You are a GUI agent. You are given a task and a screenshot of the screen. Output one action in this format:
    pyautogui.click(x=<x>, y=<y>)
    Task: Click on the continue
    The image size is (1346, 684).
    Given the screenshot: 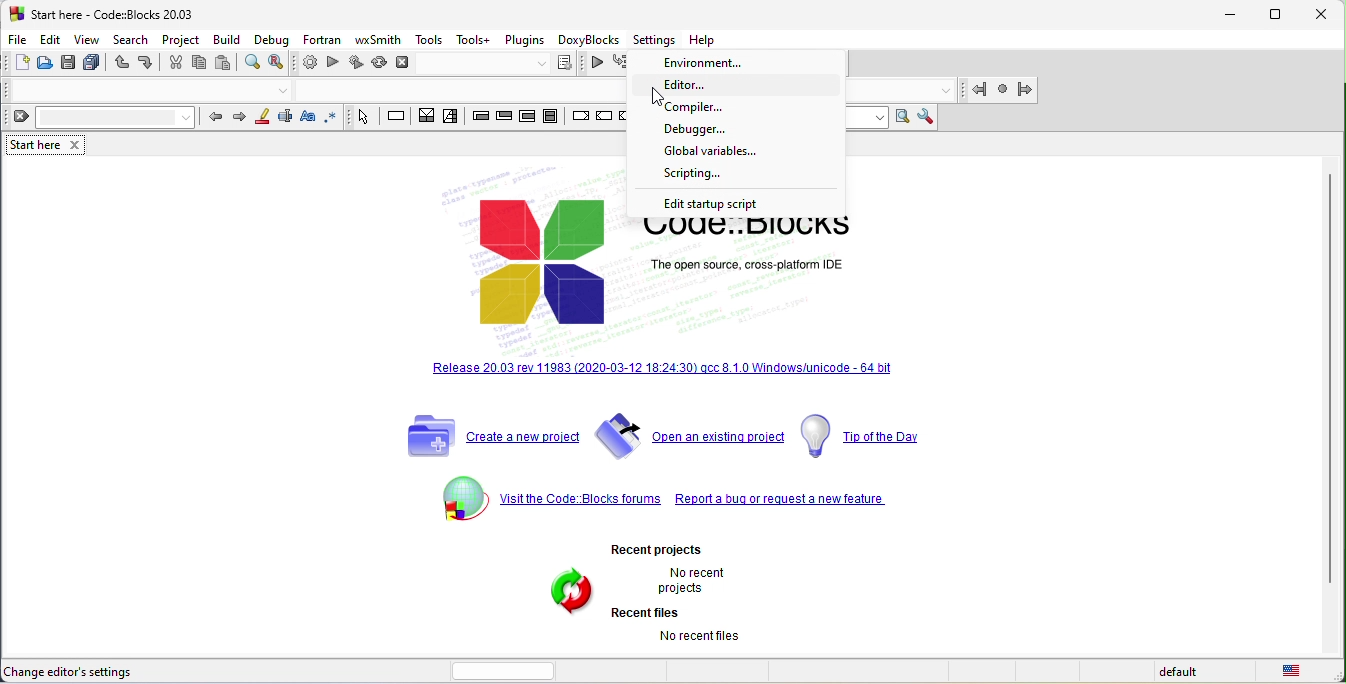 What is the action you would take?
    pyautogui.click(x=609, y=119)
    